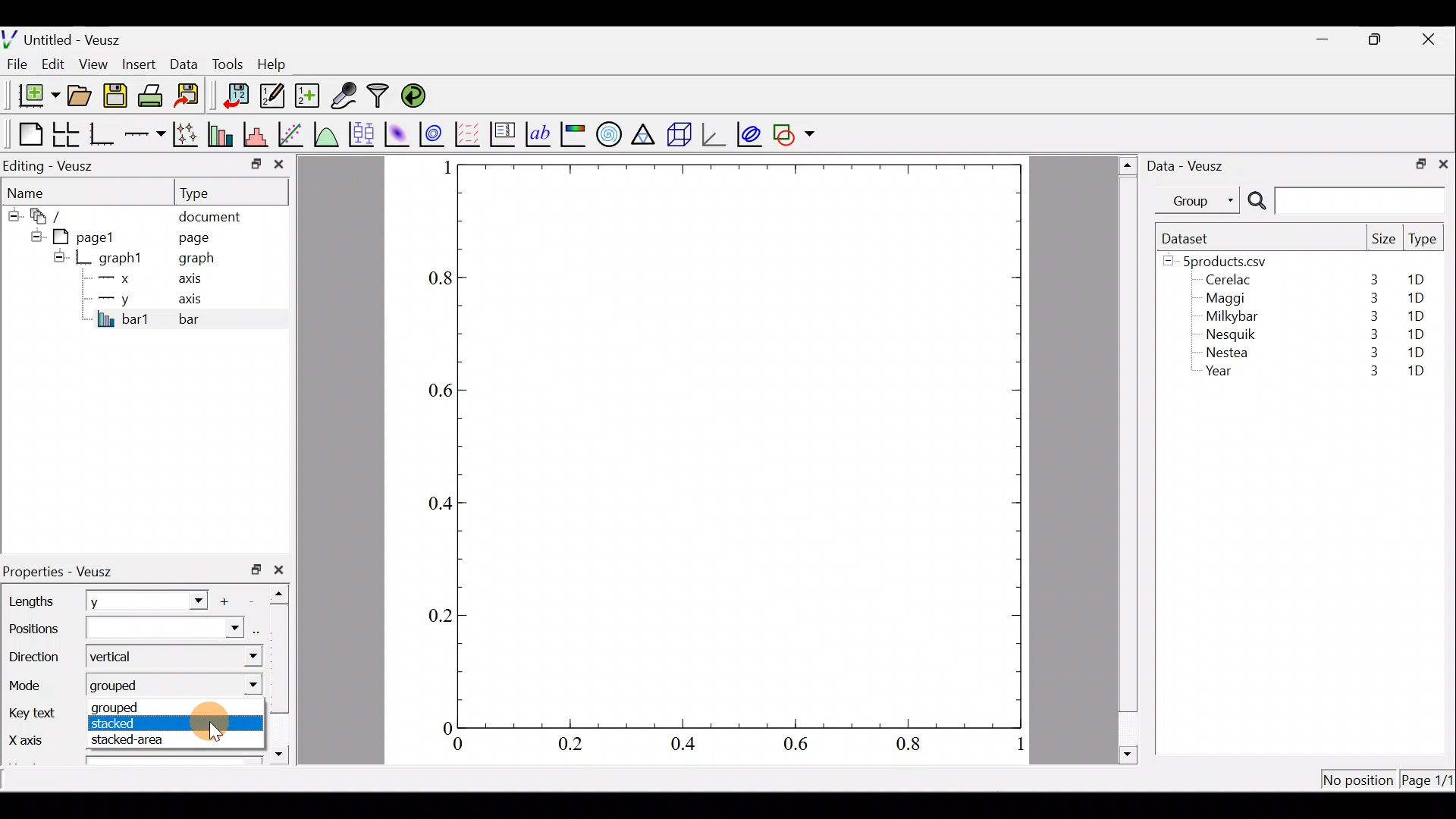 This screenshot has width=1456, height=819. Describe the element at coordinates (1223, 260) in the screenshot. I see `5products.csv` at that location.